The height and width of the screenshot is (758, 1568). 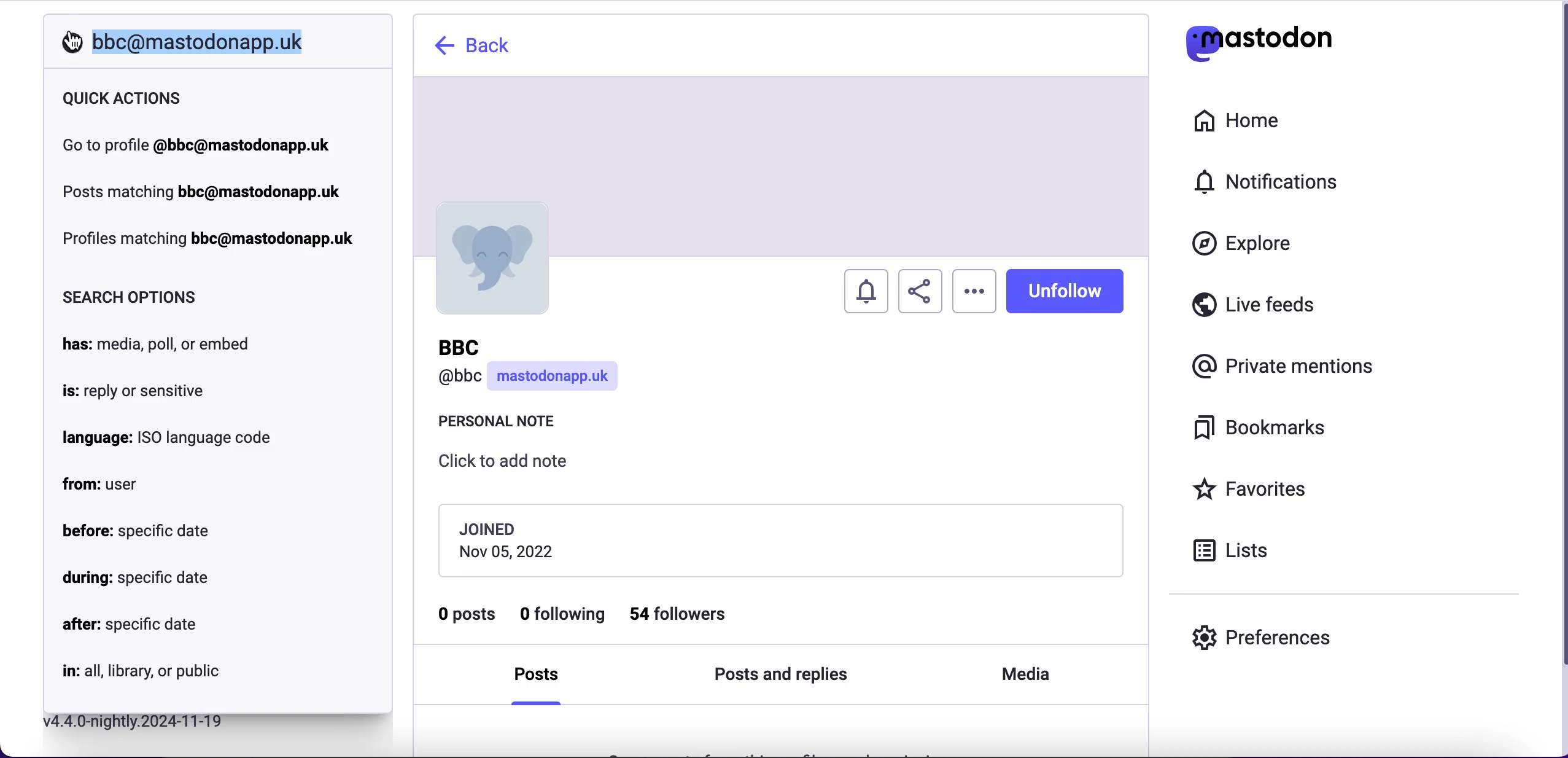 I want to click on during: specific date, so click(x=135, y=579).